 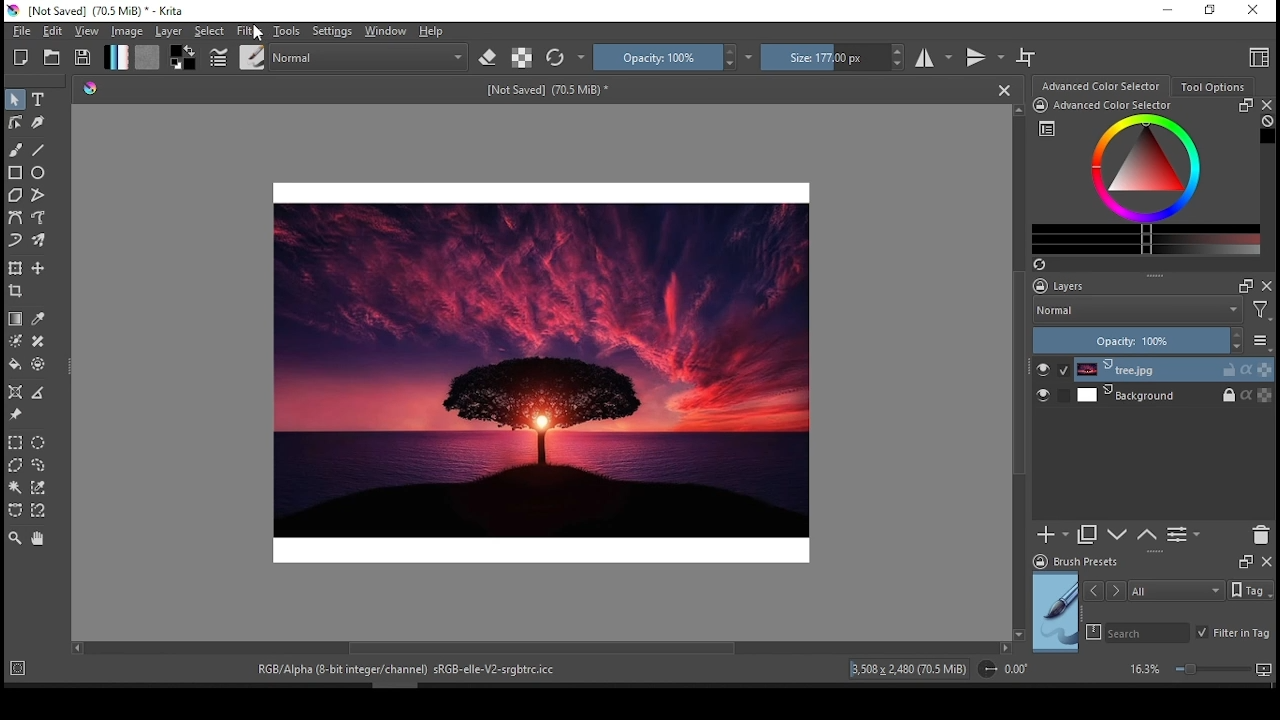 I want to click on choose brush preset, so click(x=252, y=57).